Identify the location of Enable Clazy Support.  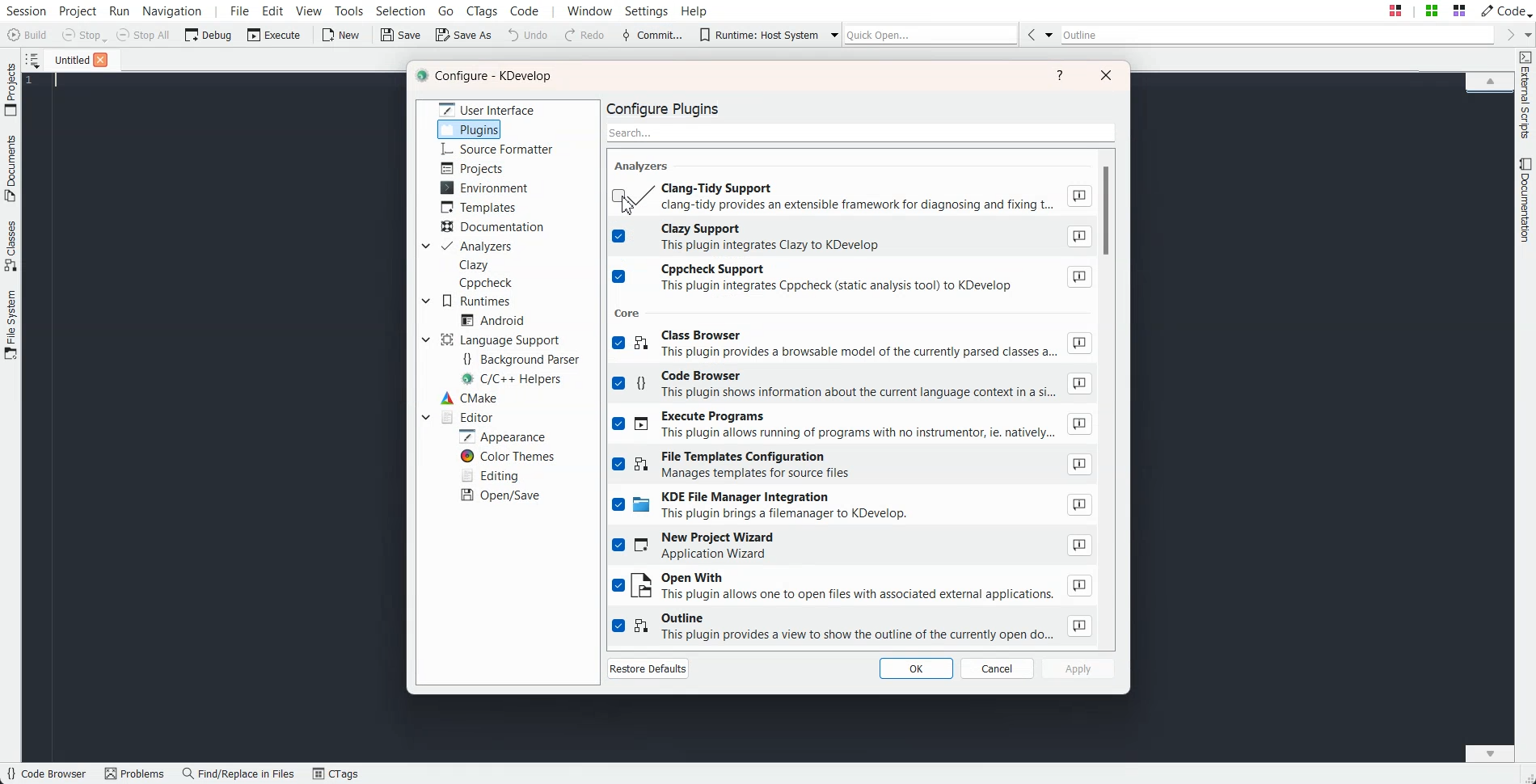
(853, 238).